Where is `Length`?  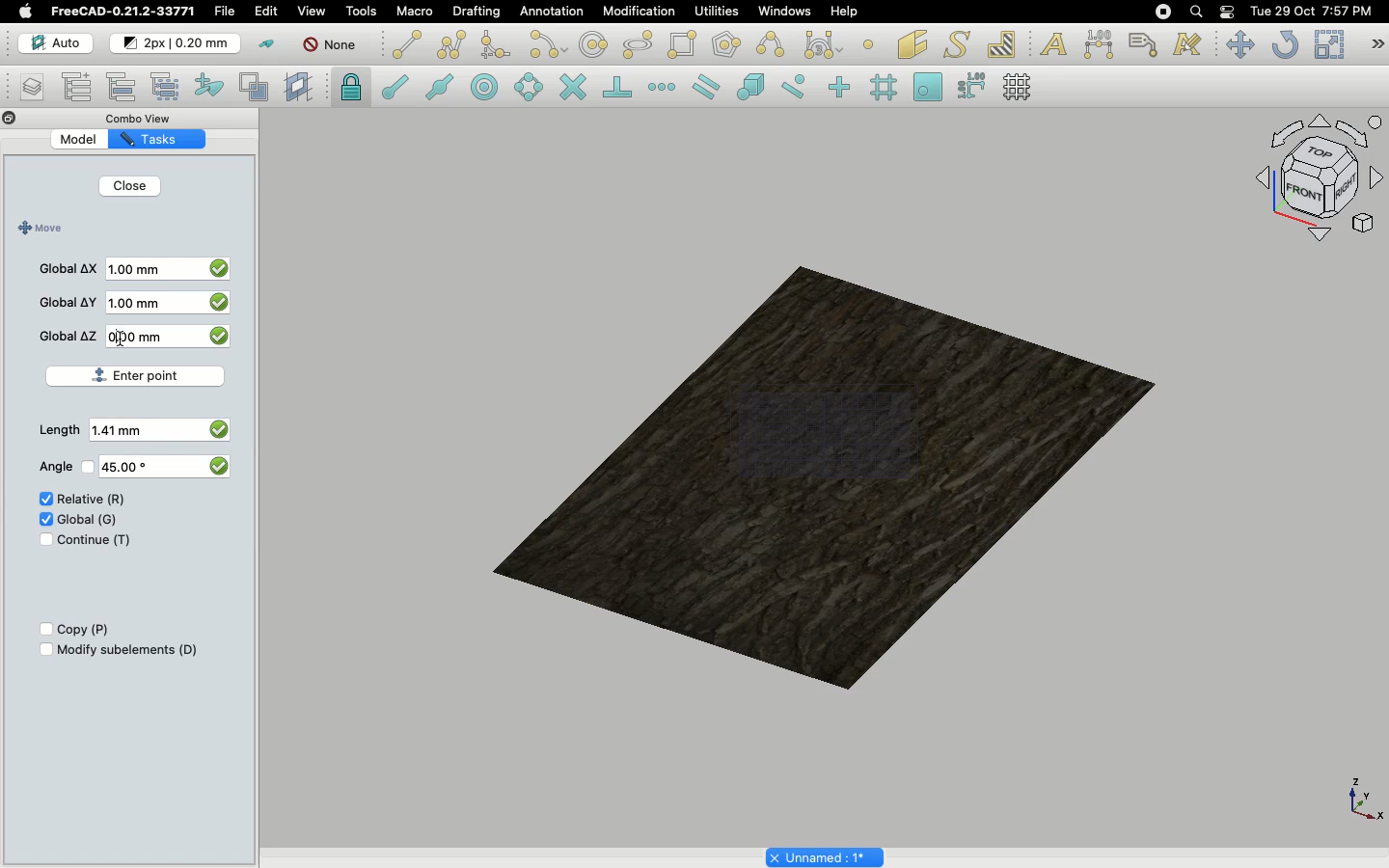 Length is located at coordinates (59, 430).